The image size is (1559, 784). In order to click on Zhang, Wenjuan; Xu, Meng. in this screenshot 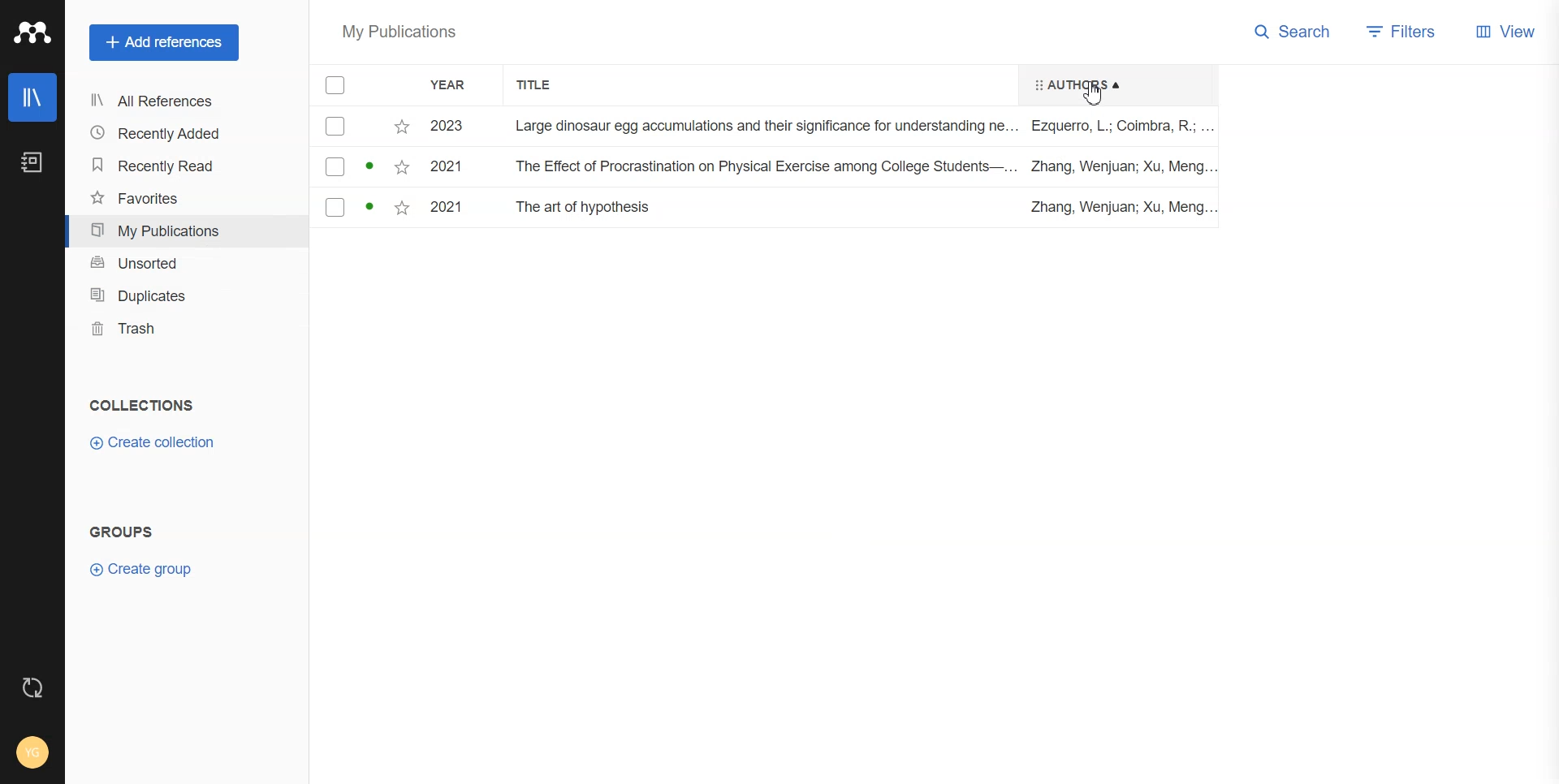, I will do `click(1114, 207)`.